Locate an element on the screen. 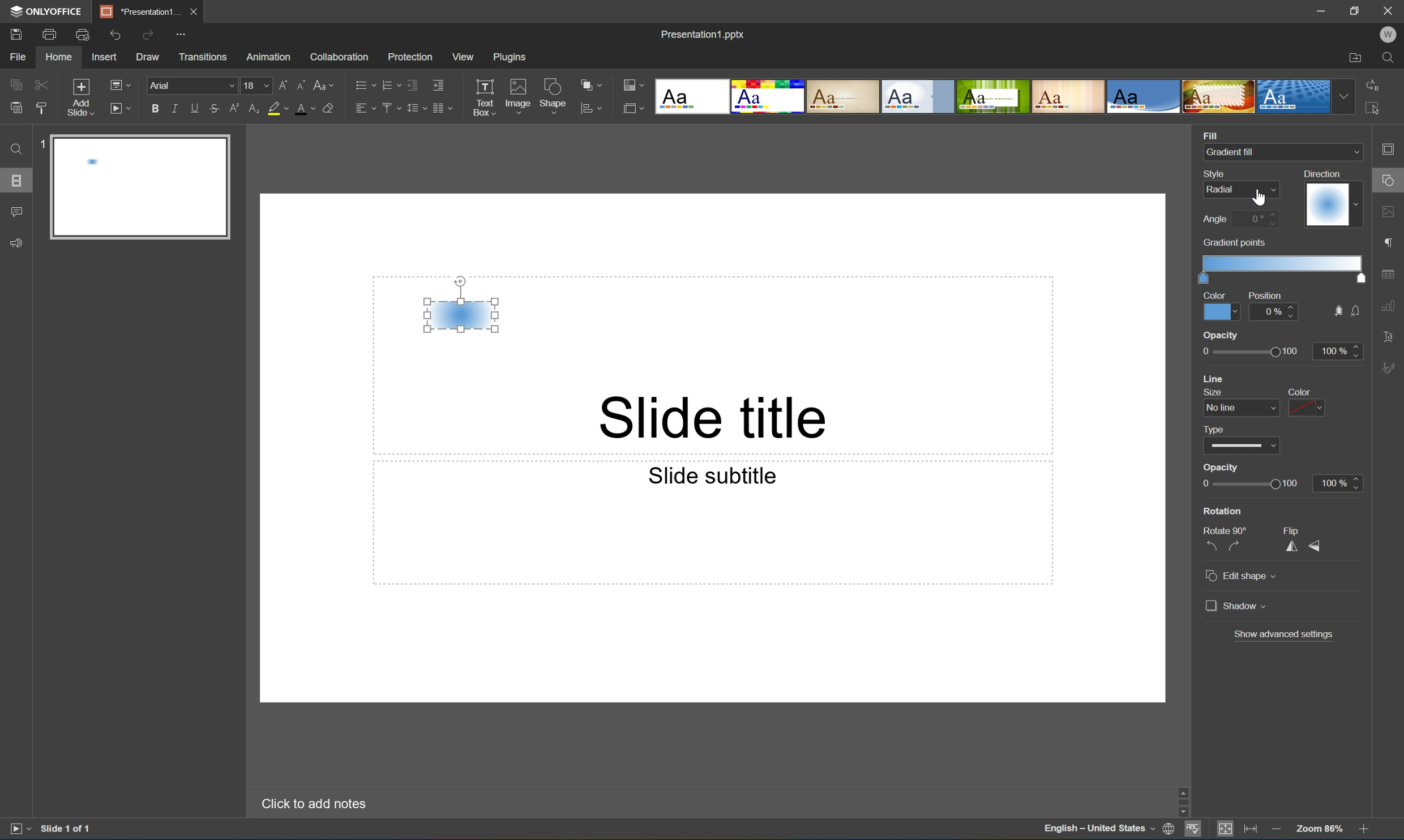 The height and width of the screenshot is (840, 1404). Highlight is located at coordinates (279, 109).